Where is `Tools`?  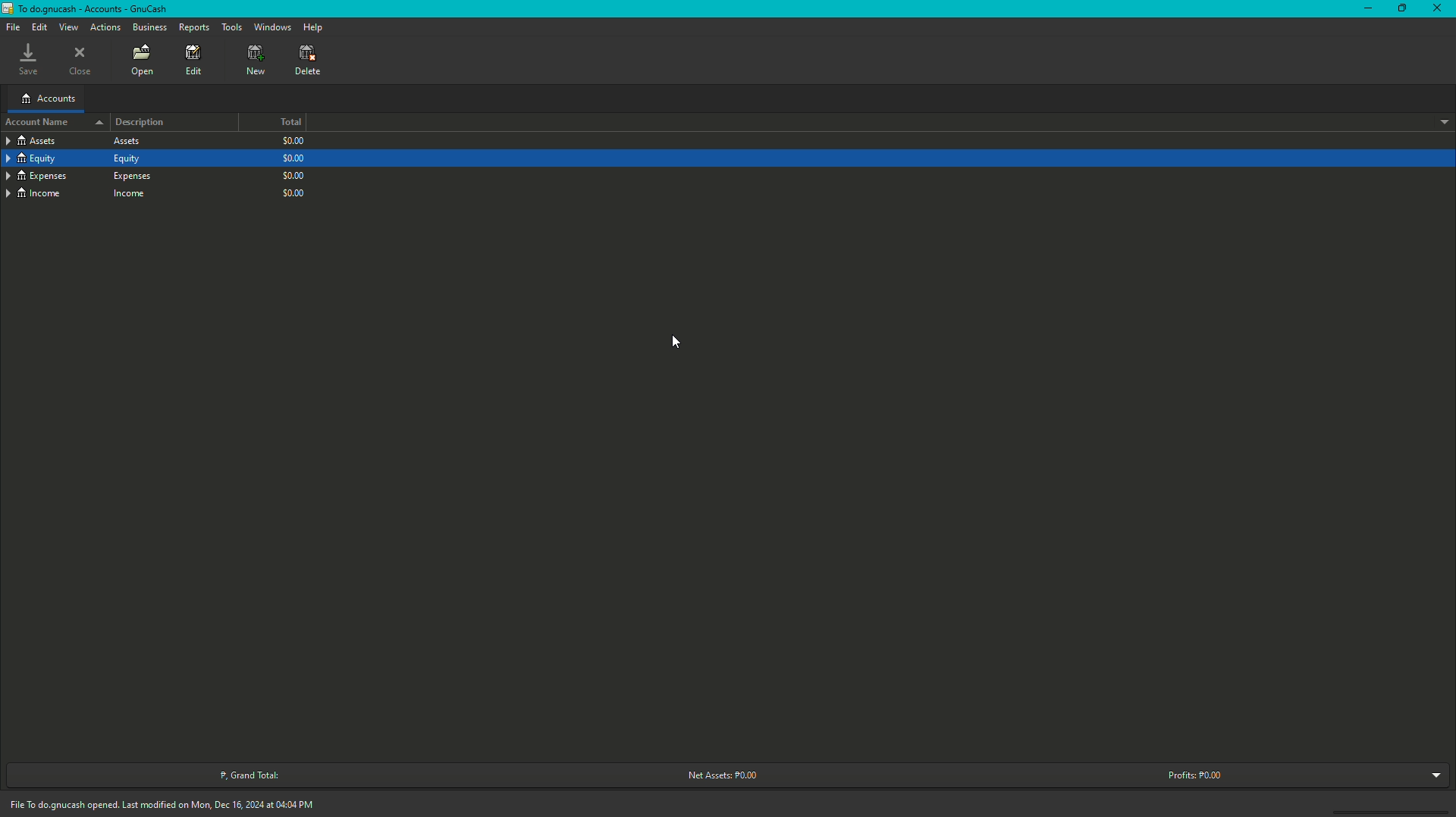 Tools is located at coordinates (231, 27).